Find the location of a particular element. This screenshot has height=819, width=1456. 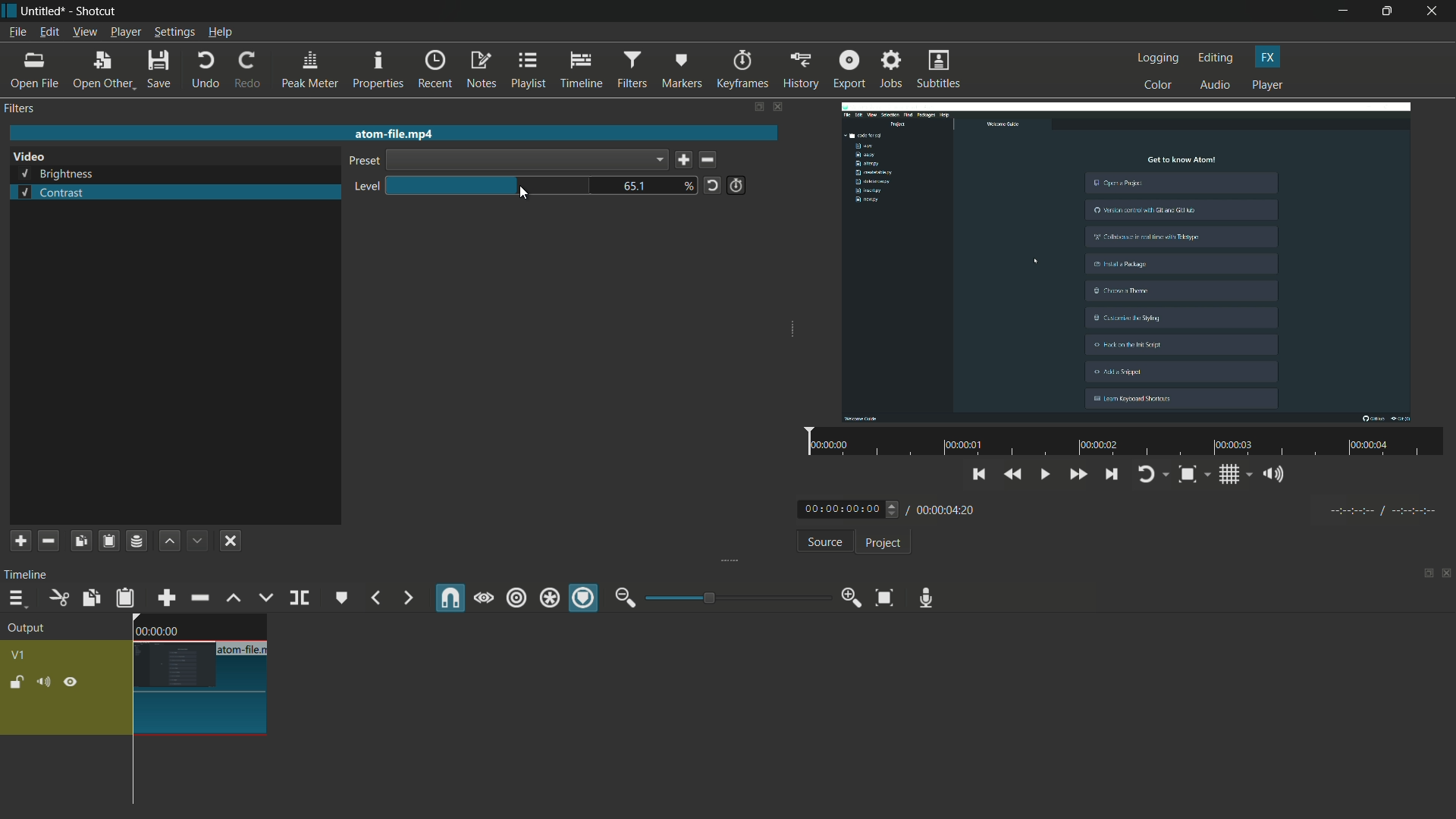

toggle play/pause is located at coordinates (1047, 475).